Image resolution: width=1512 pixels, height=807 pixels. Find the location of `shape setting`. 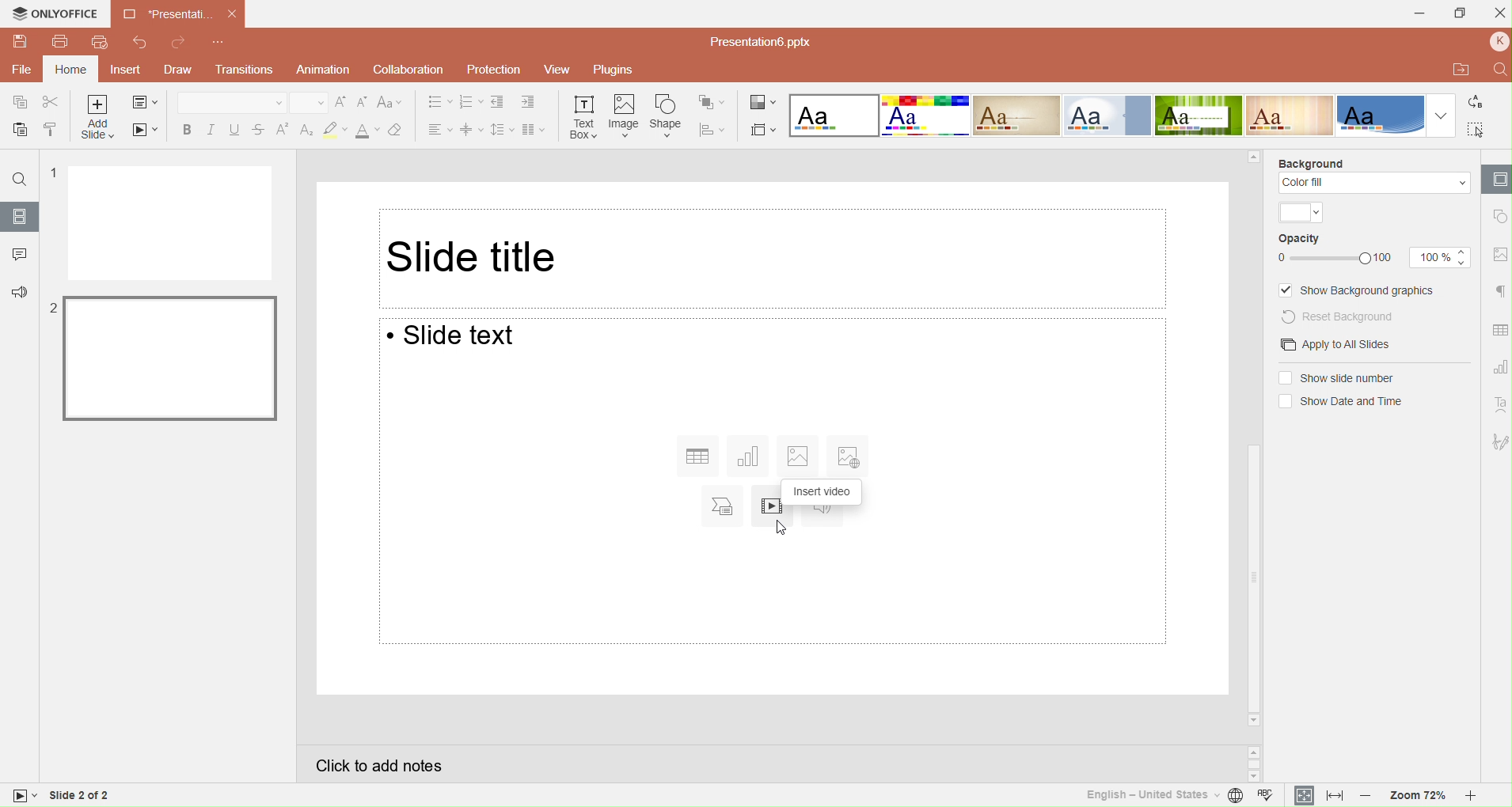

shape setting is located at coordinates (1499, 213).